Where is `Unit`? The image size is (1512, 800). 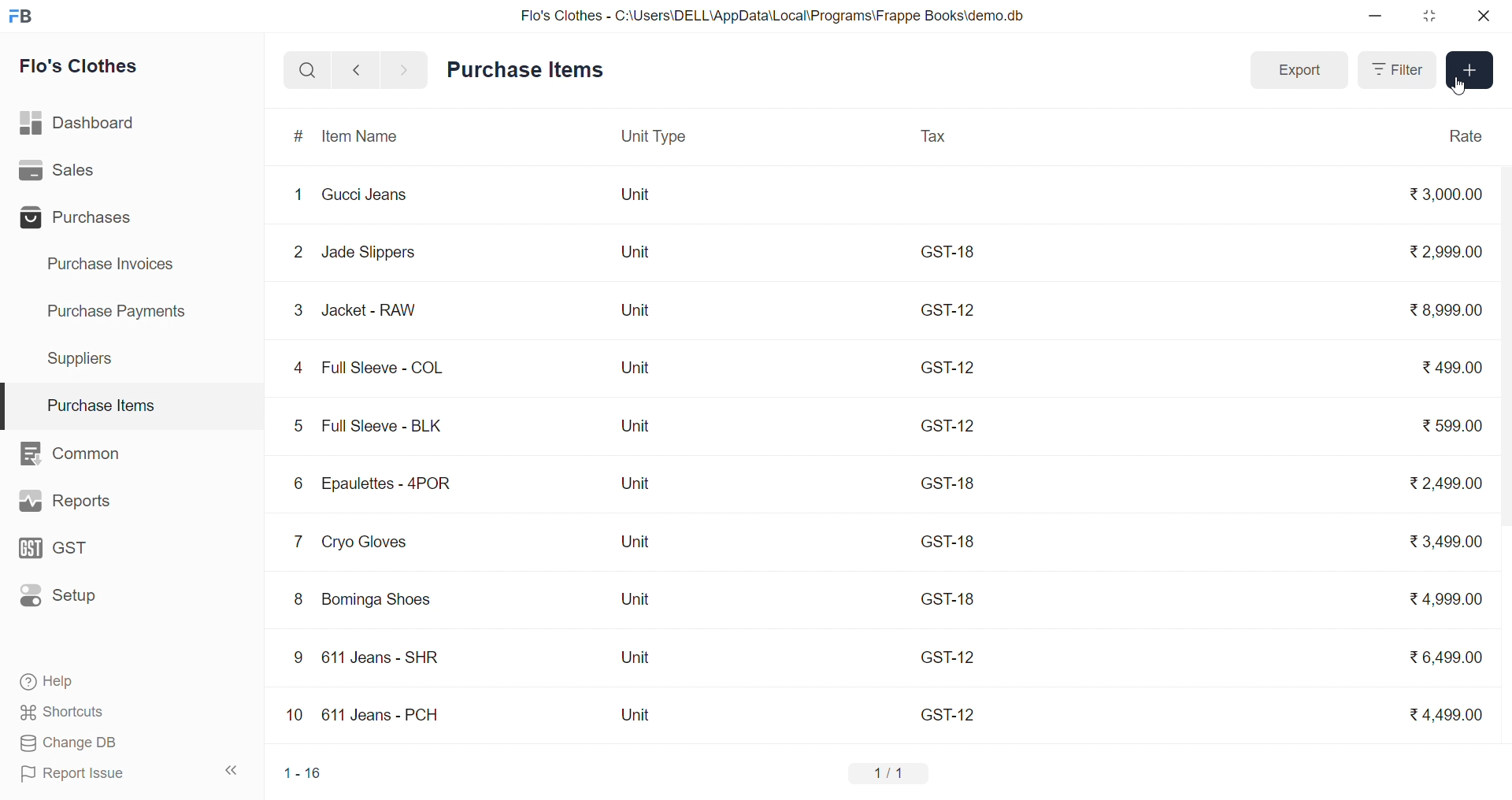 Unit is located at coordinates (636, 487).